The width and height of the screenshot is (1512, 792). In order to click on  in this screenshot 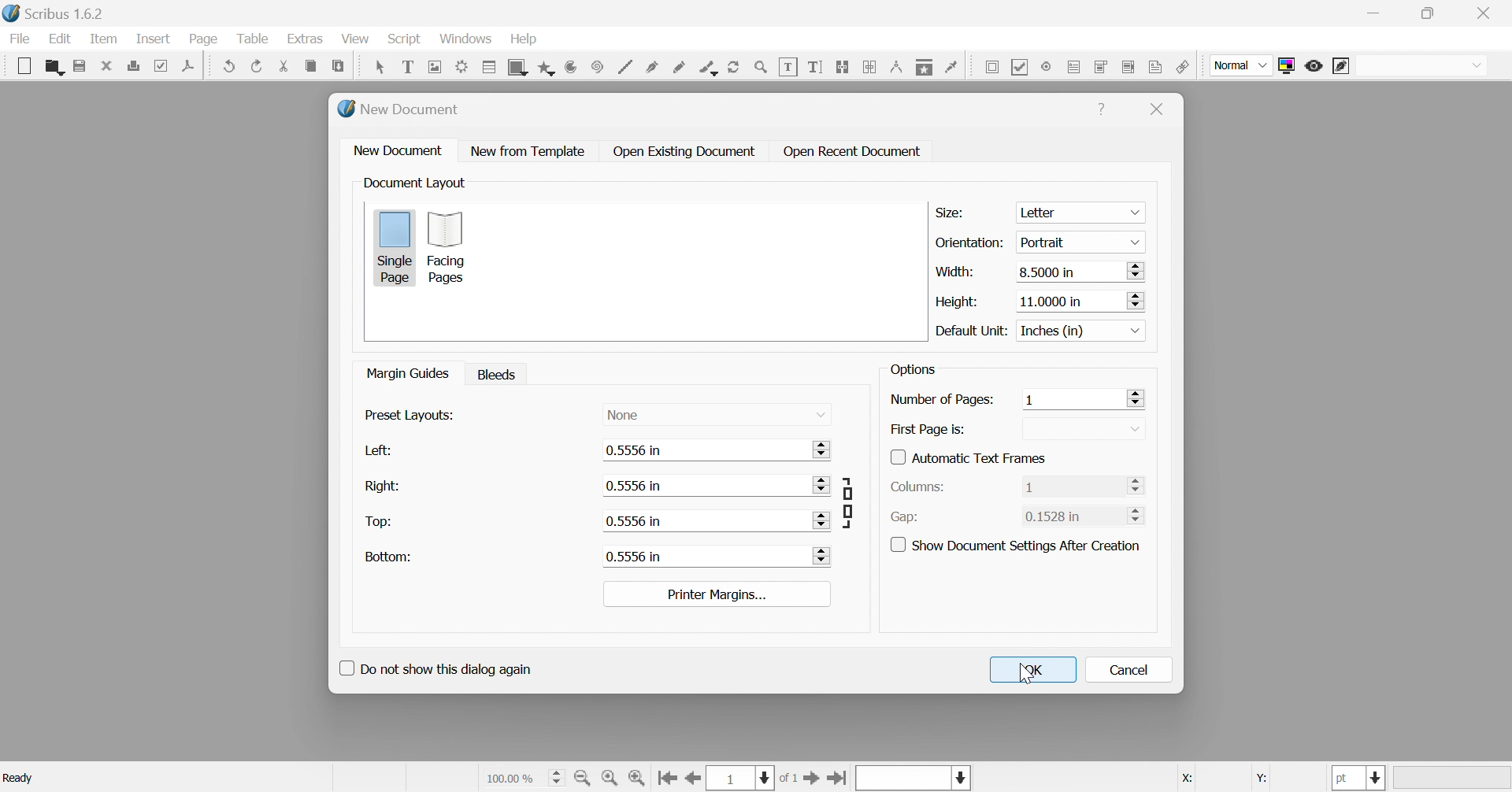, I will do `click(846, 152)`.